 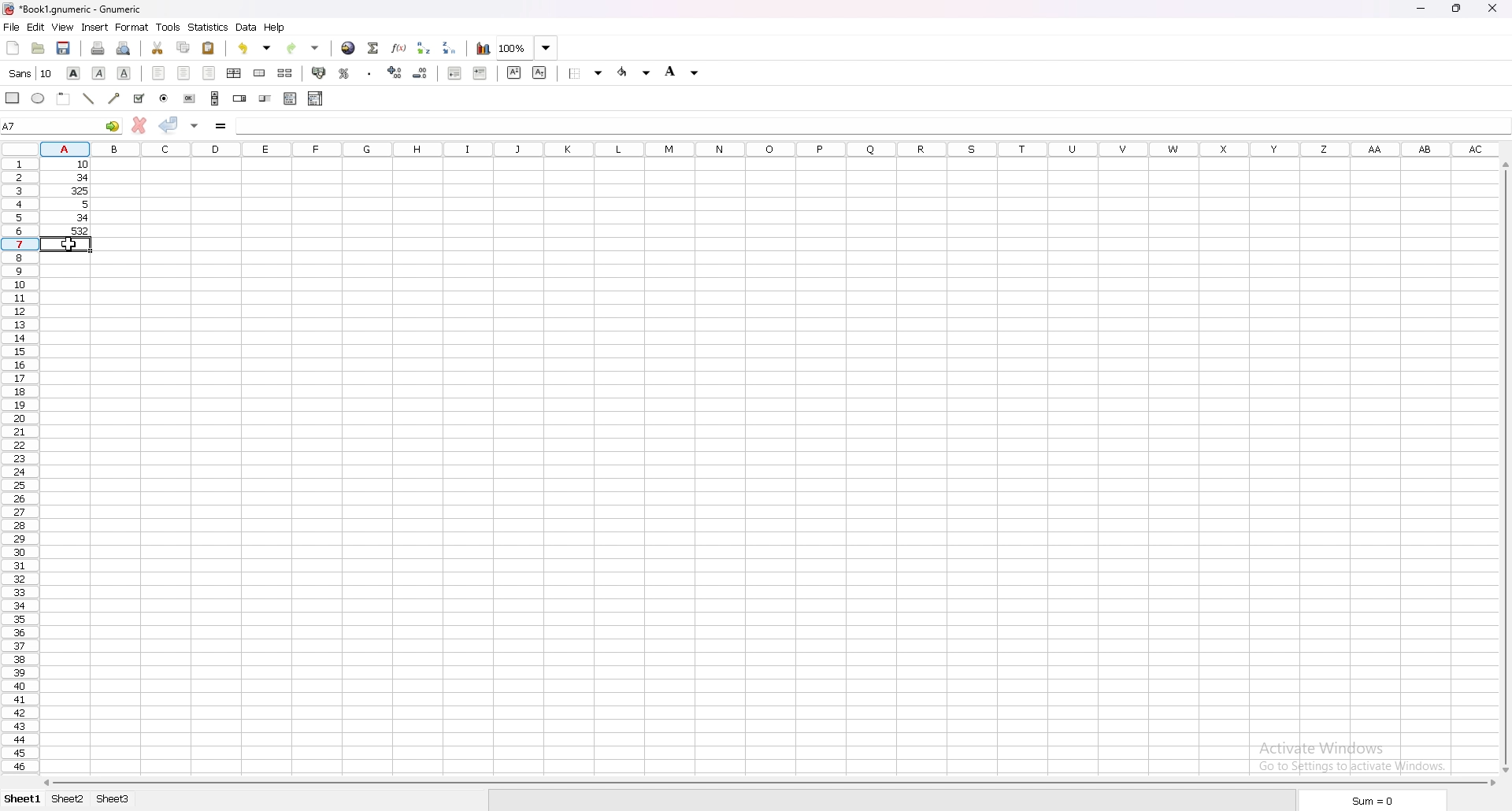 I want to click on border, so click(x=585, y=72).